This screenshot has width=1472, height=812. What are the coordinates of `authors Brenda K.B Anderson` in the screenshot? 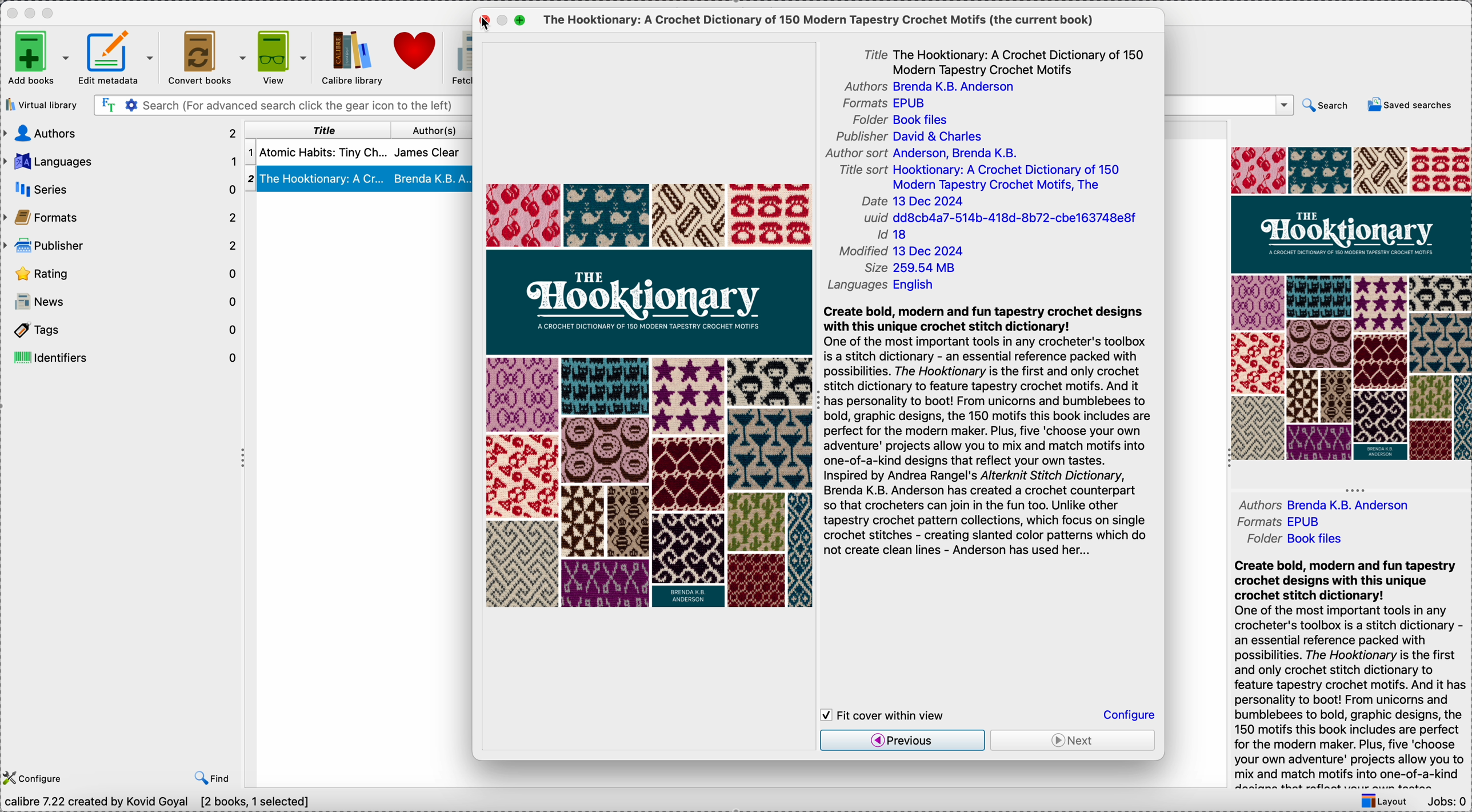 It's located at (1321, 505).